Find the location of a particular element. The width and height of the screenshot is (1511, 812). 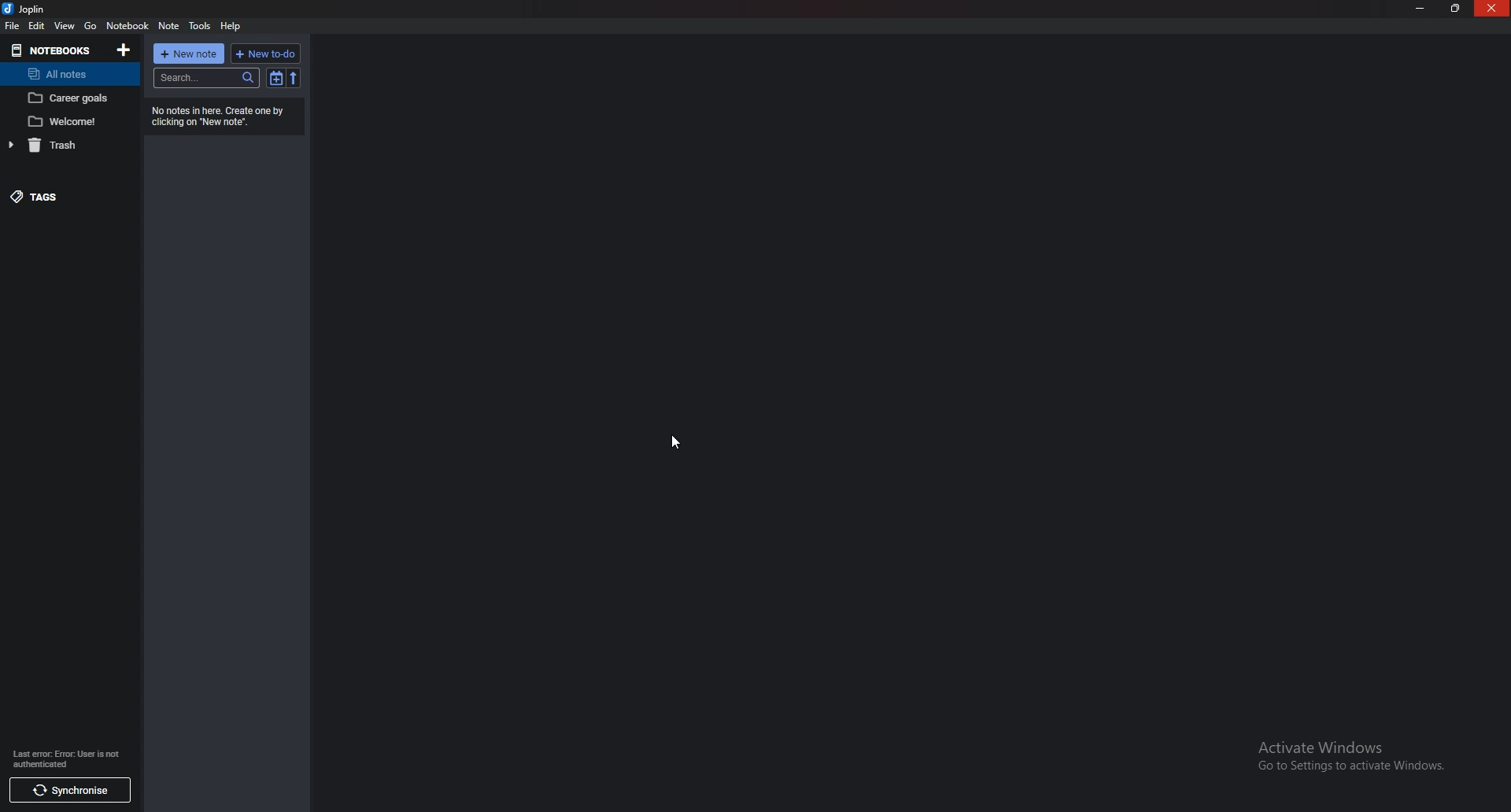

note is located at coordinates (66, 123).